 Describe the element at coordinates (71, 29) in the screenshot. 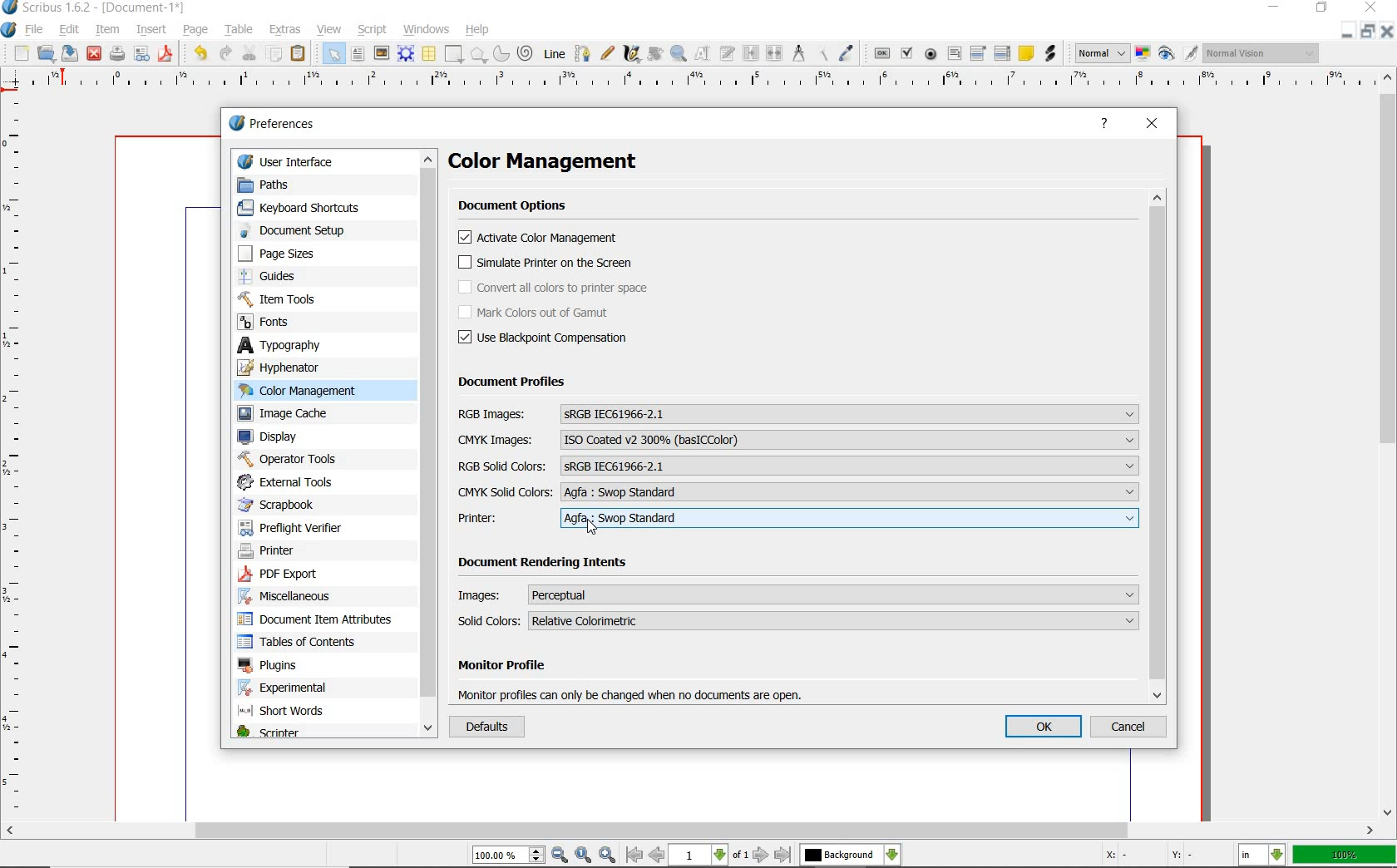

I see `edit` at that location.